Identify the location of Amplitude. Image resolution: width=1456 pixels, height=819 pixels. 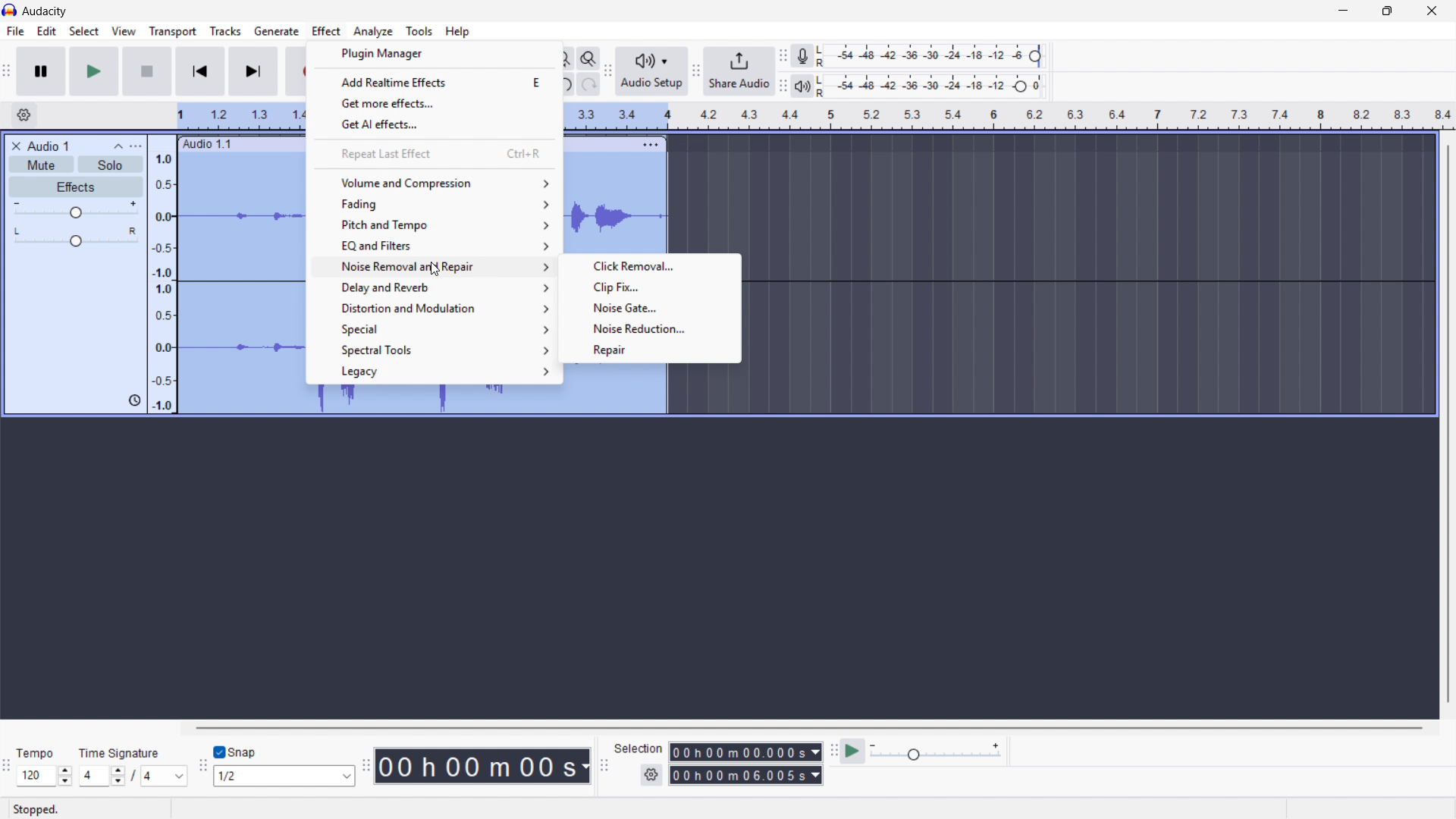
(162, 275).